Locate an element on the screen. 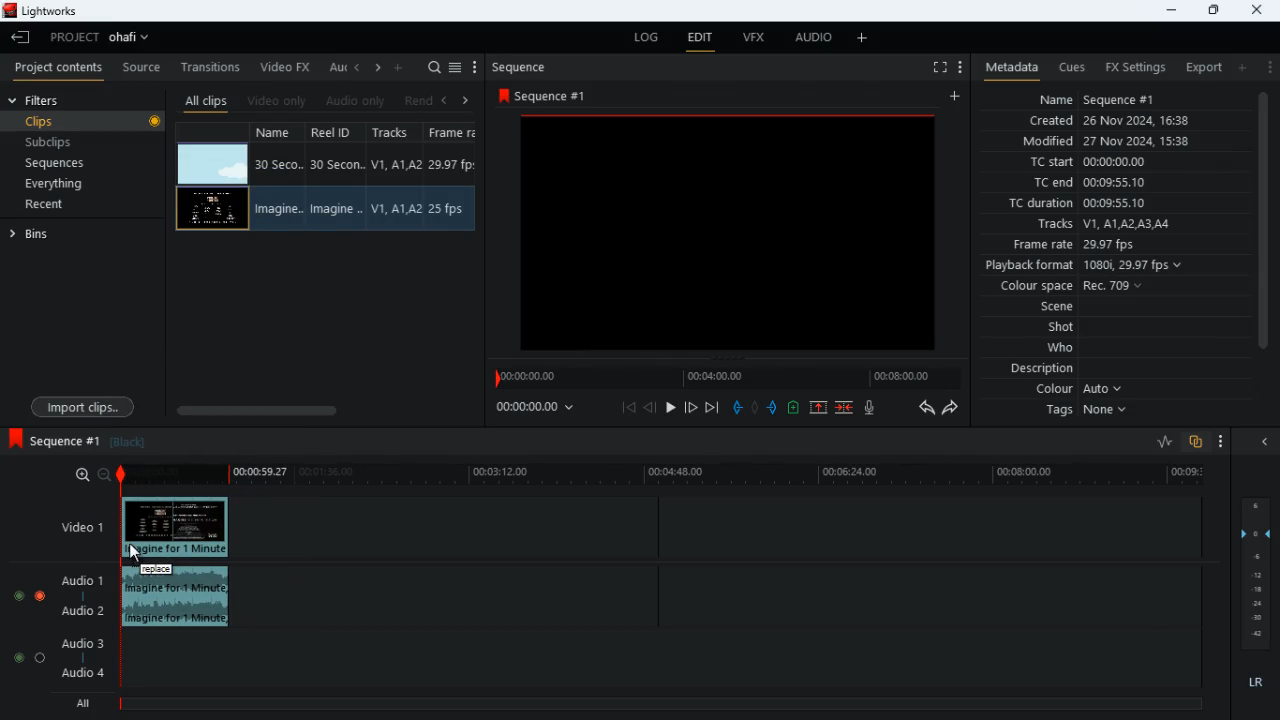  clips is located at coordinates (98, 122).